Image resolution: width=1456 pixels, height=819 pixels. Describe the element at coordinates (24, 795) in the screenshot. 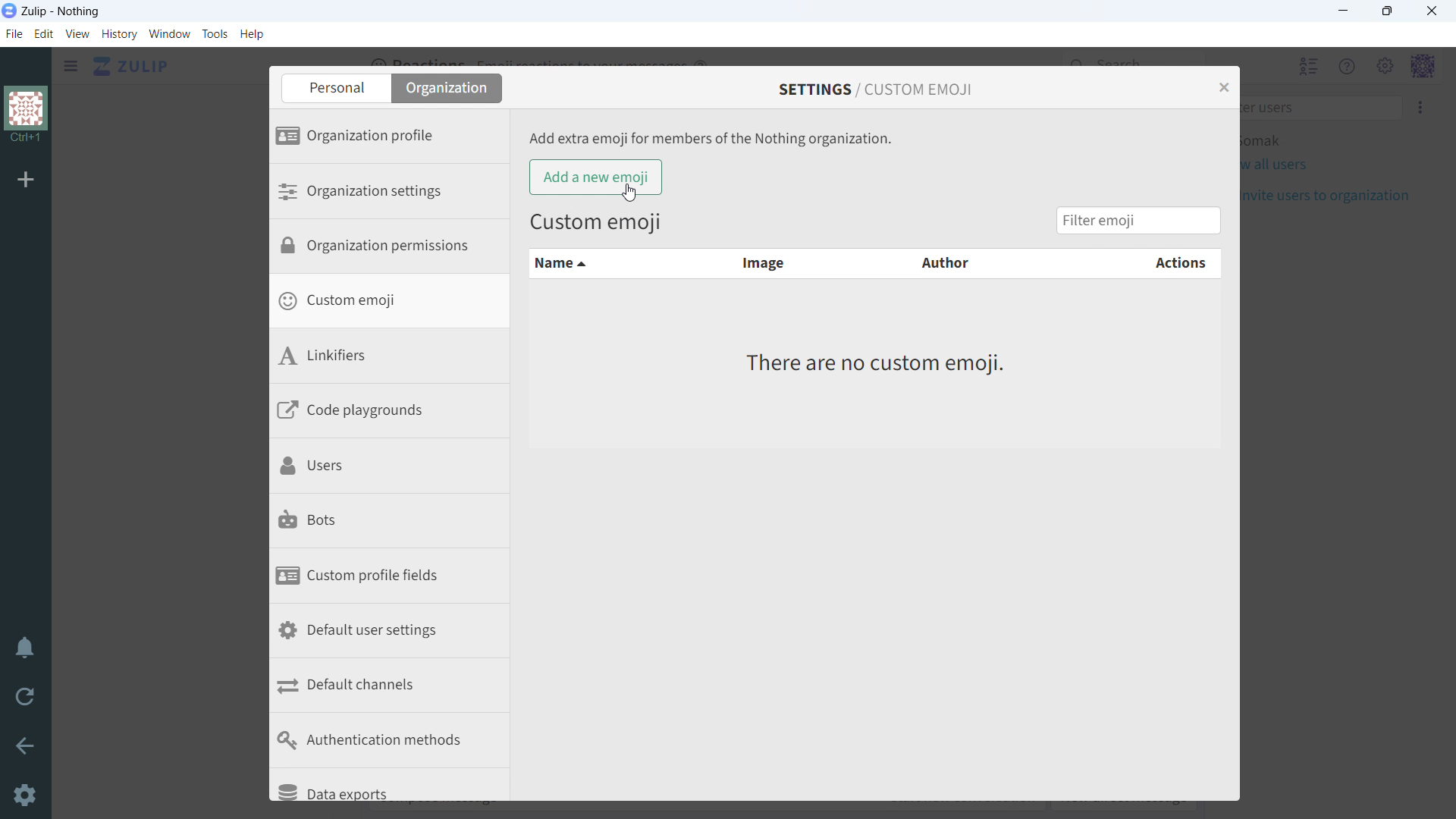

I see `settings` at that location.